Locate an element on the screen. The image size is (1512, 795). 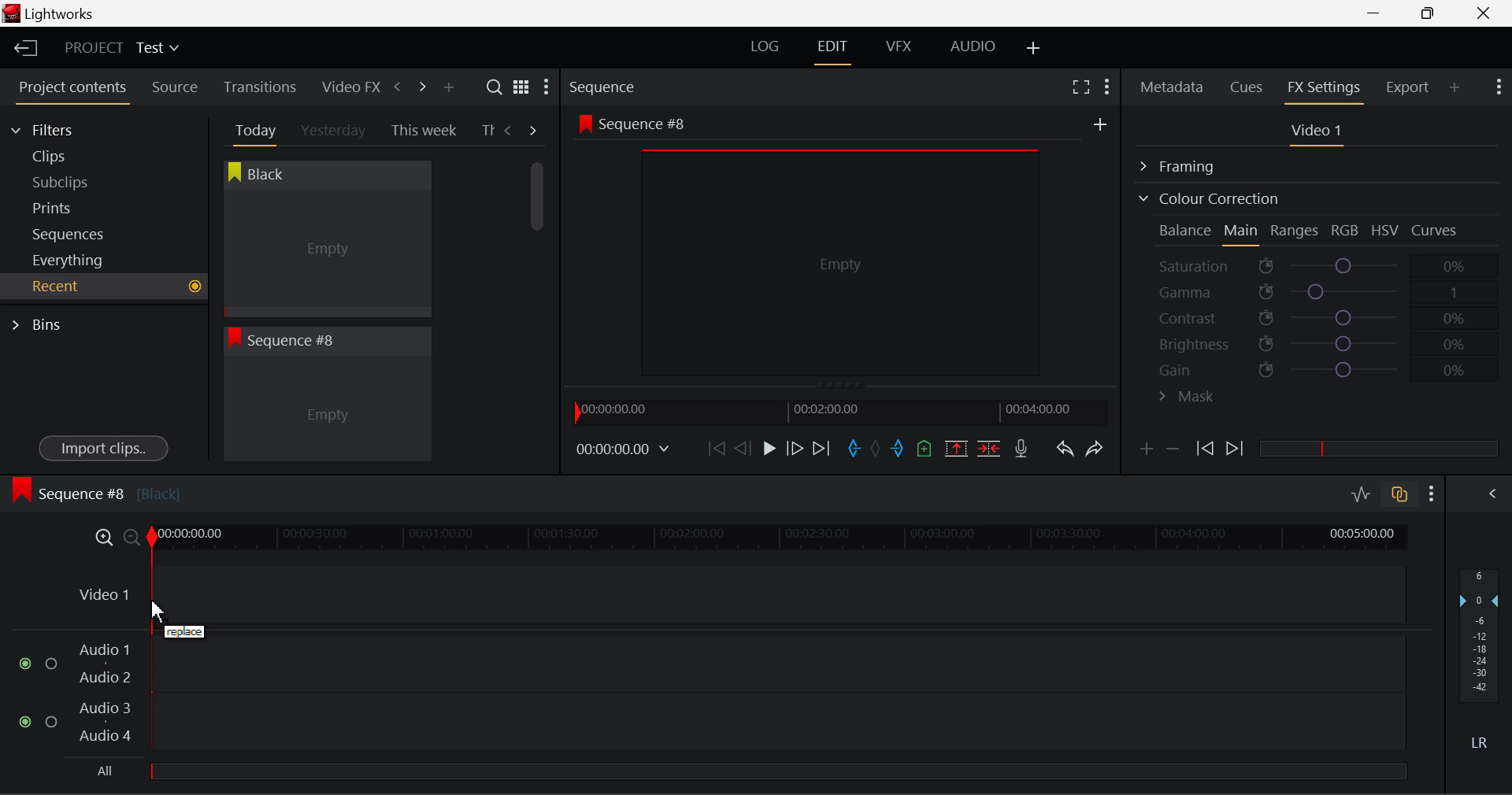
To End is located at coordinates (821, 449).